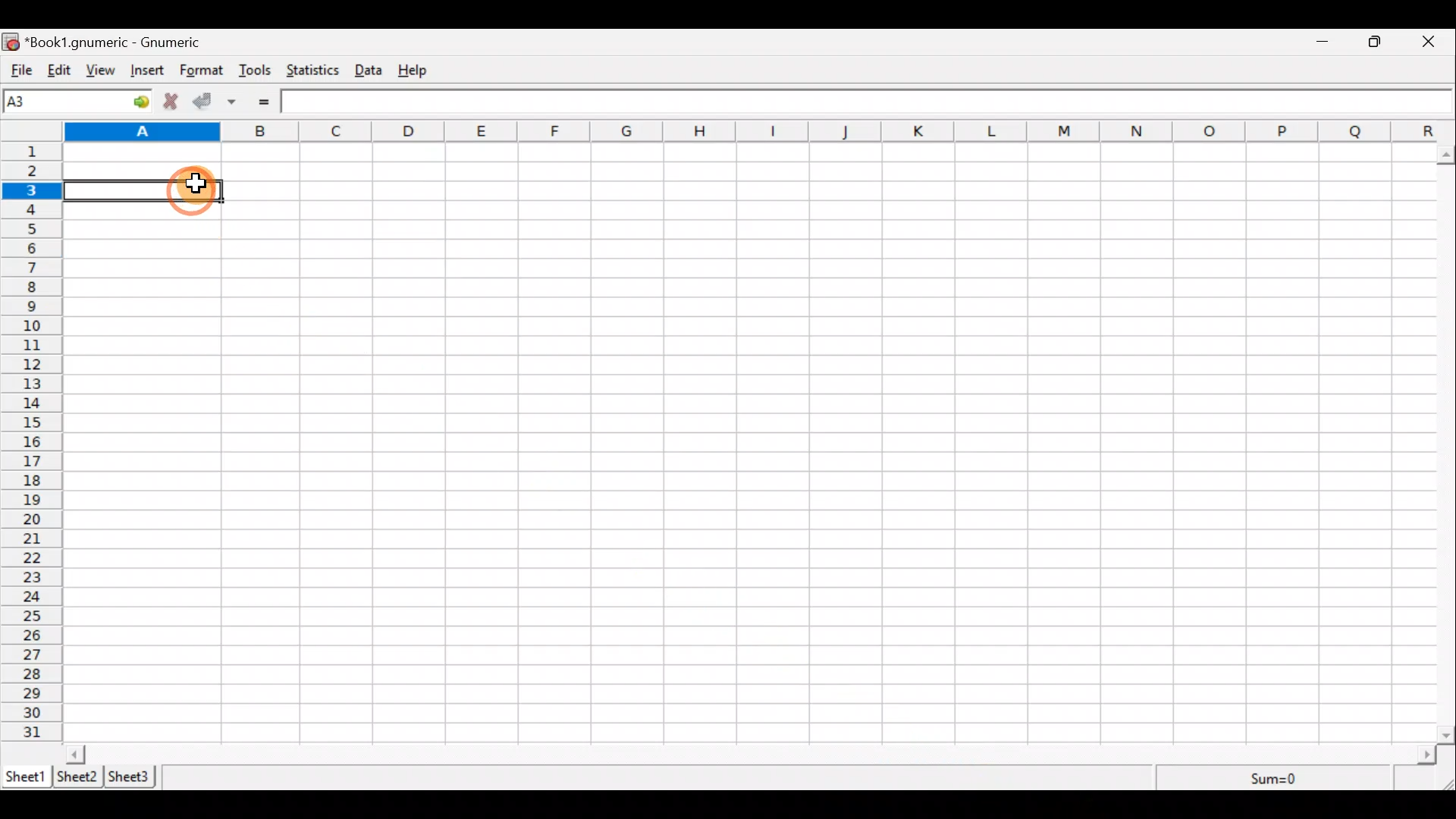  I want to click on icon, so click(11, 42).